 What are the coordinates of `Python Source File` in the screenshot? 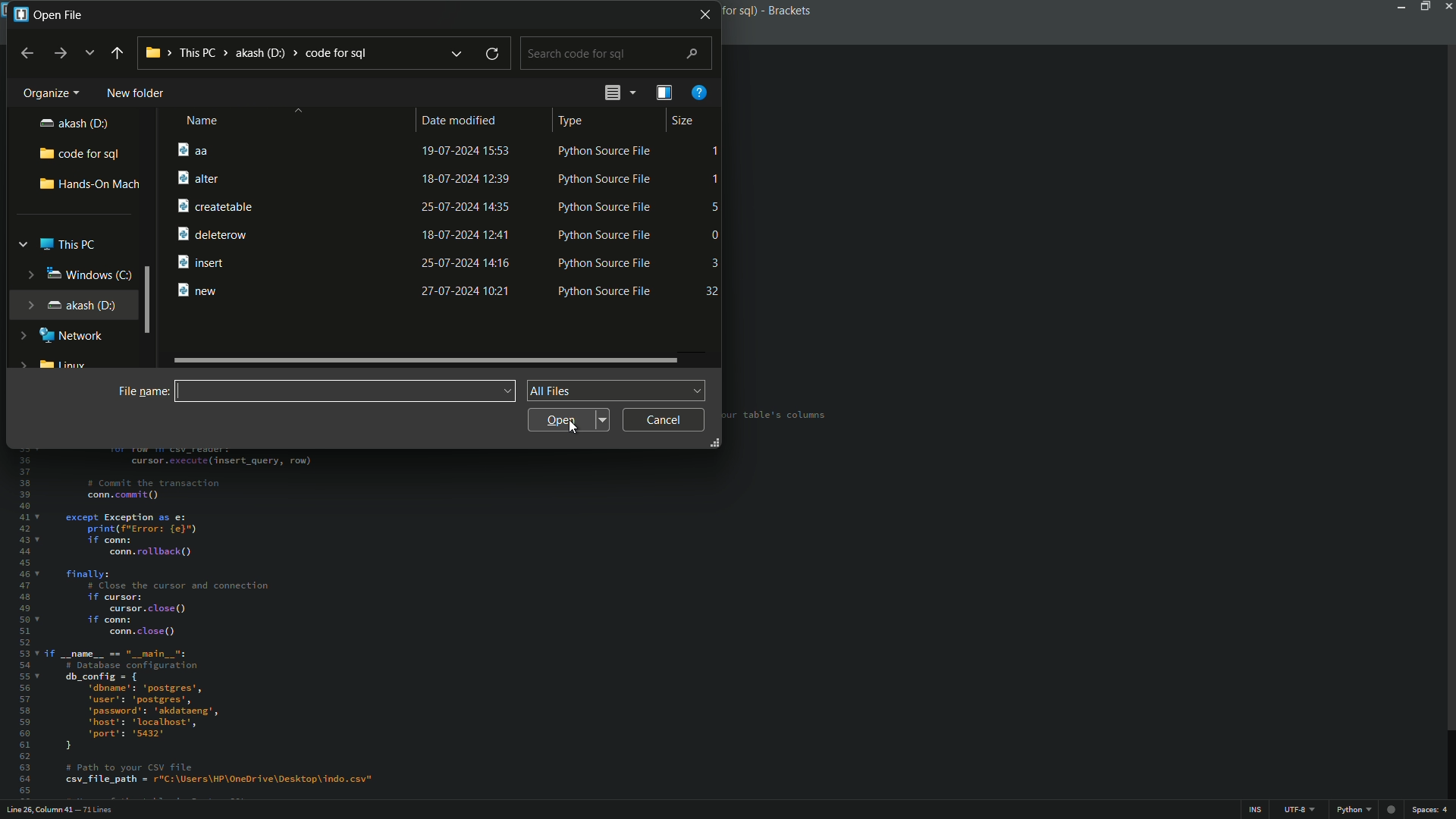 It's located at (608, 262).